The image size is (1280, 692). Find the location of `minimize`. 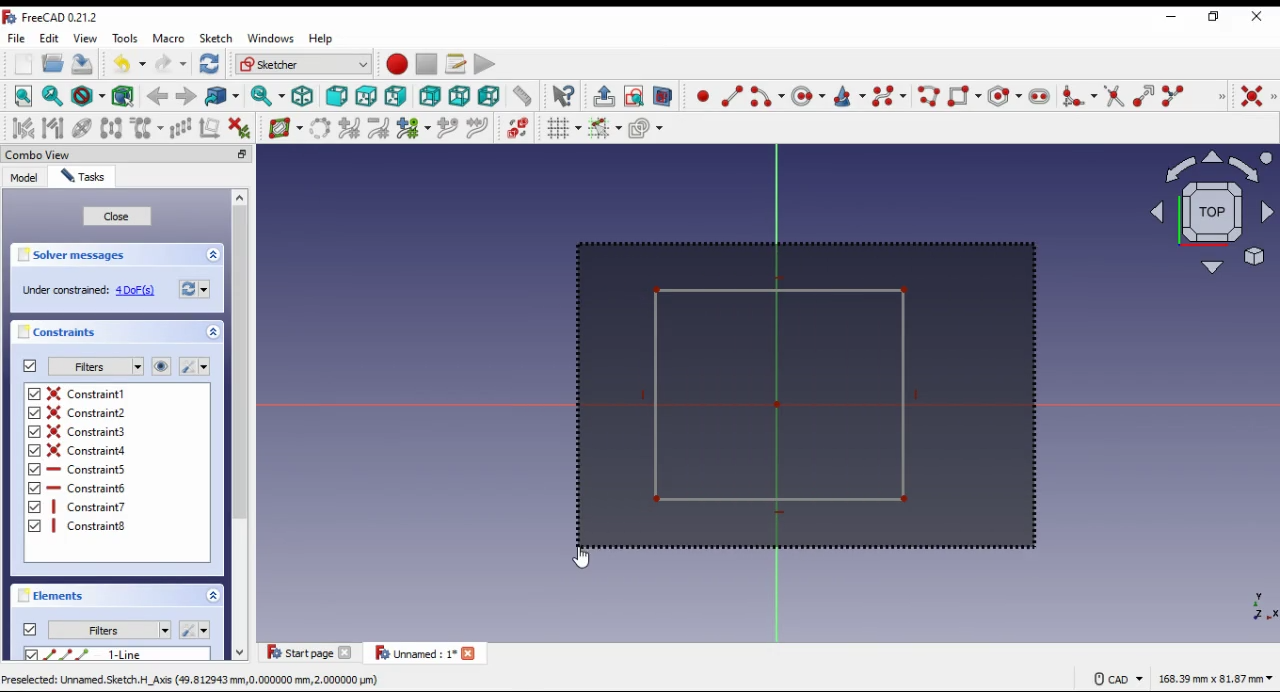

minimize is located at coordinates (242, 154).